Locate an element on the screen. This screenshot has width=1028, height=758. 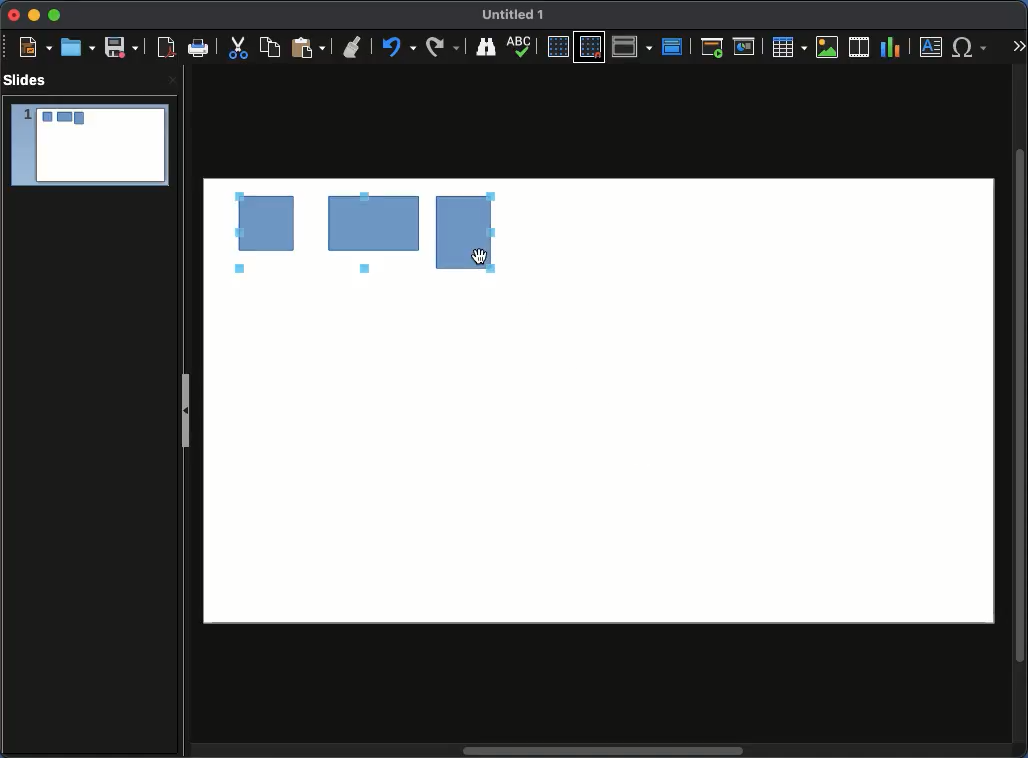
Audio or video is located at coordinates (860, 47).